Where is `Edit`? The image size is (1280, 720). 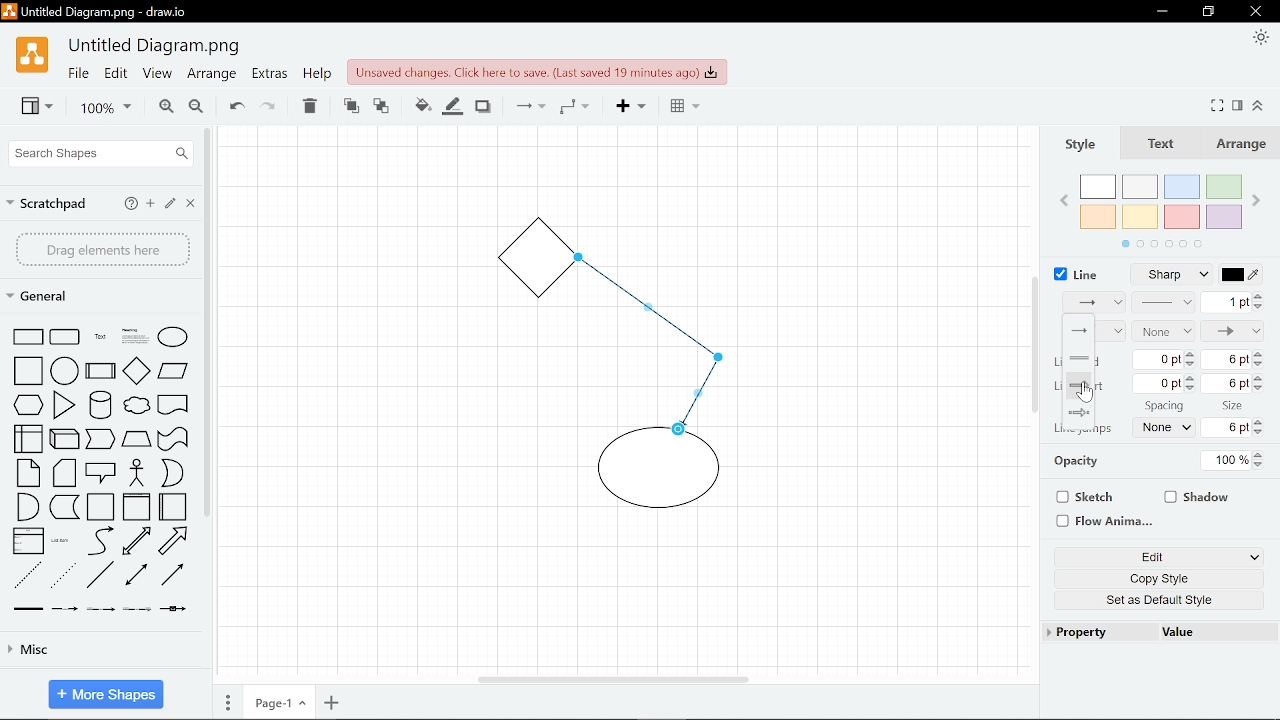 Edit is located at coordinates (172, 205).